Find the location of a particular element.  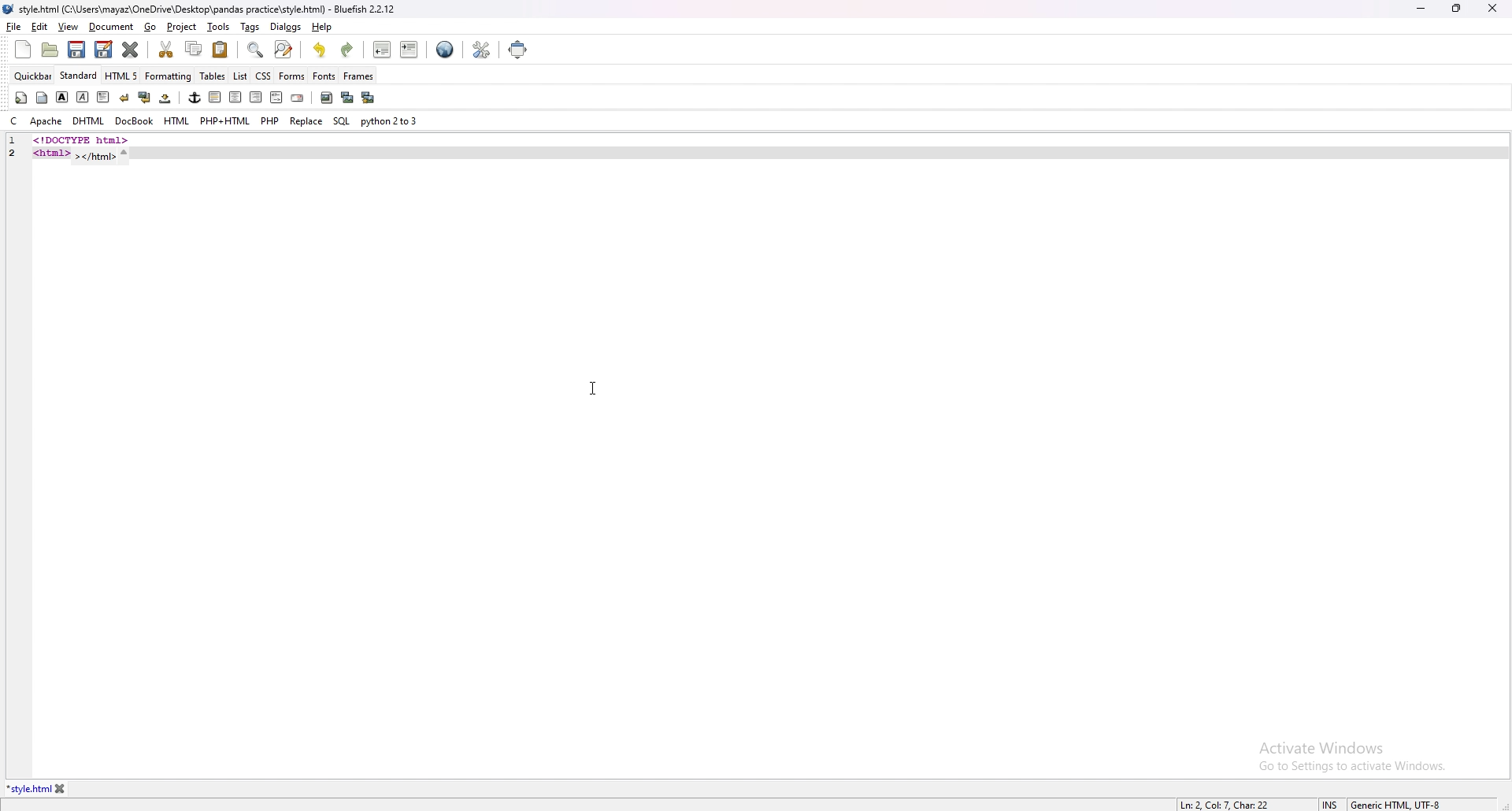

project is located at coordinates (183, 27).